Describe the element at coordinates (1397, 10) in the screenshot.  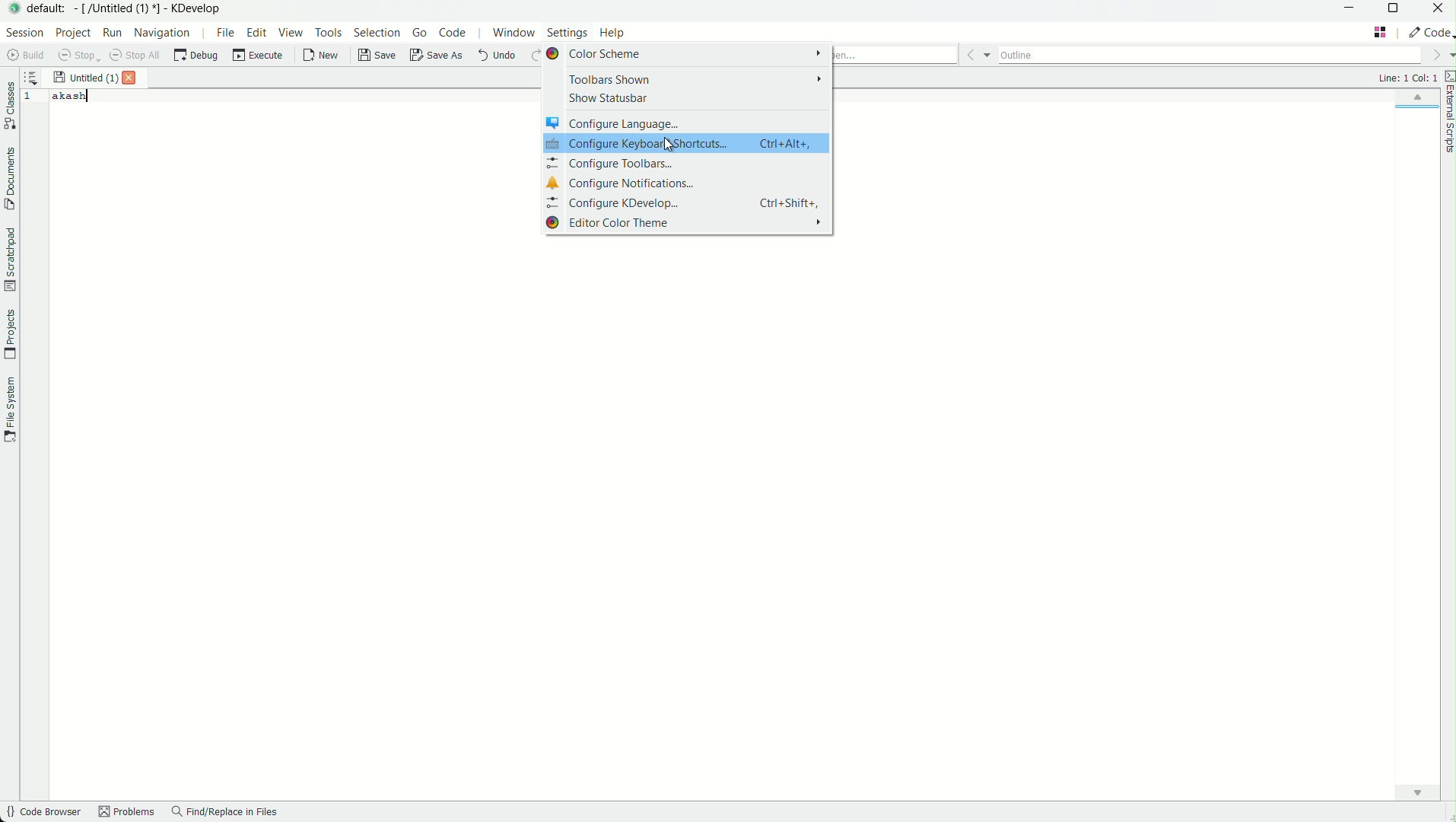
I see `maximize or restore` at that location.